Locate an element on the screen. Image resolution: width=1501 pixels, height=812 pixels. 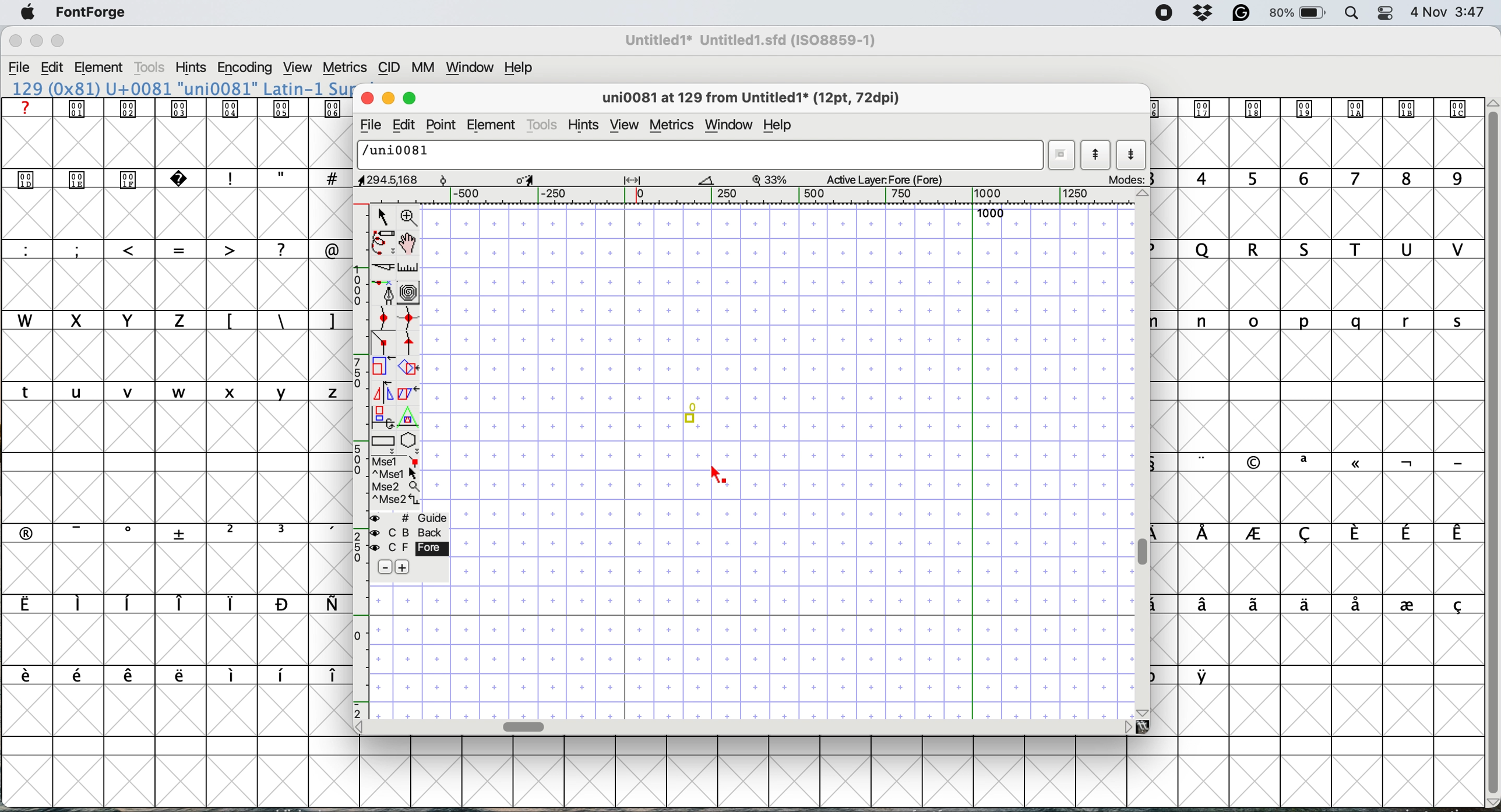
Help is located at coordinates (519, 68).